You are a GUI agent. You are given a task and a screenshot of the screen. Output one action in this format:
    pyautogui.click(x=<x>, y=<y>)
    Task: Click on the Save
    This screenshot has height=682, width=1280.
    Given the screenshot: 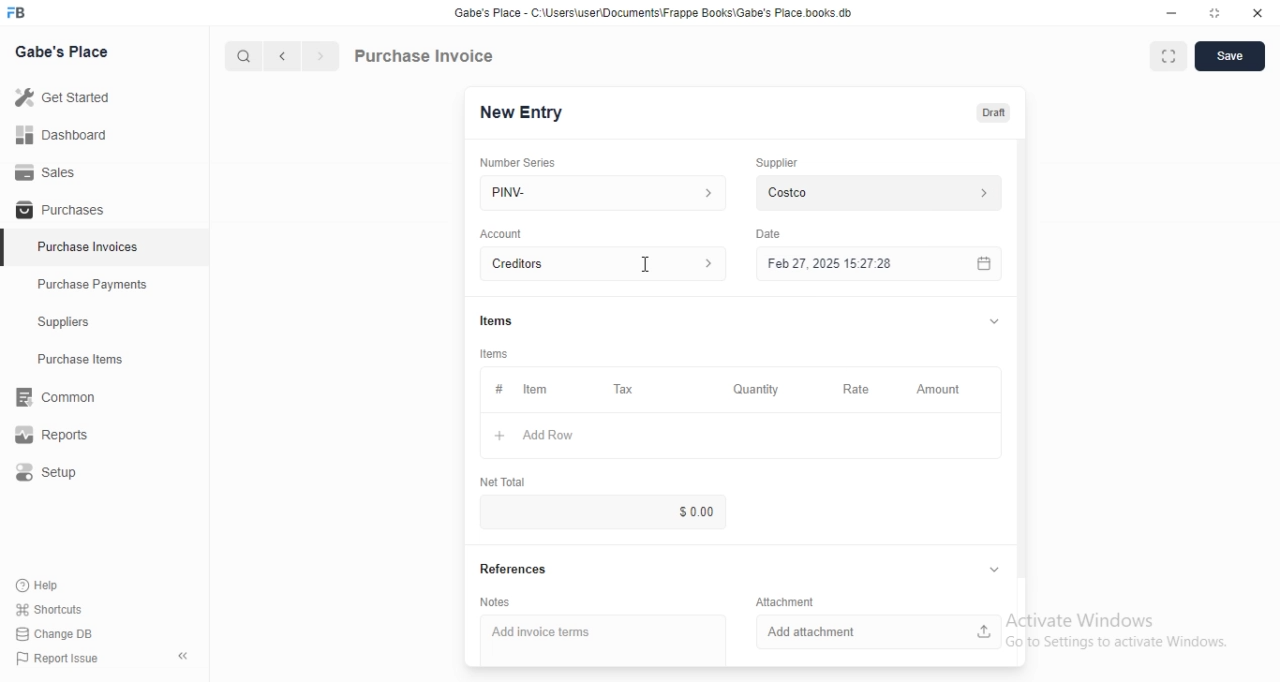 What is the action you would take?
    pyautogui.click(x=1230, y=56)
    